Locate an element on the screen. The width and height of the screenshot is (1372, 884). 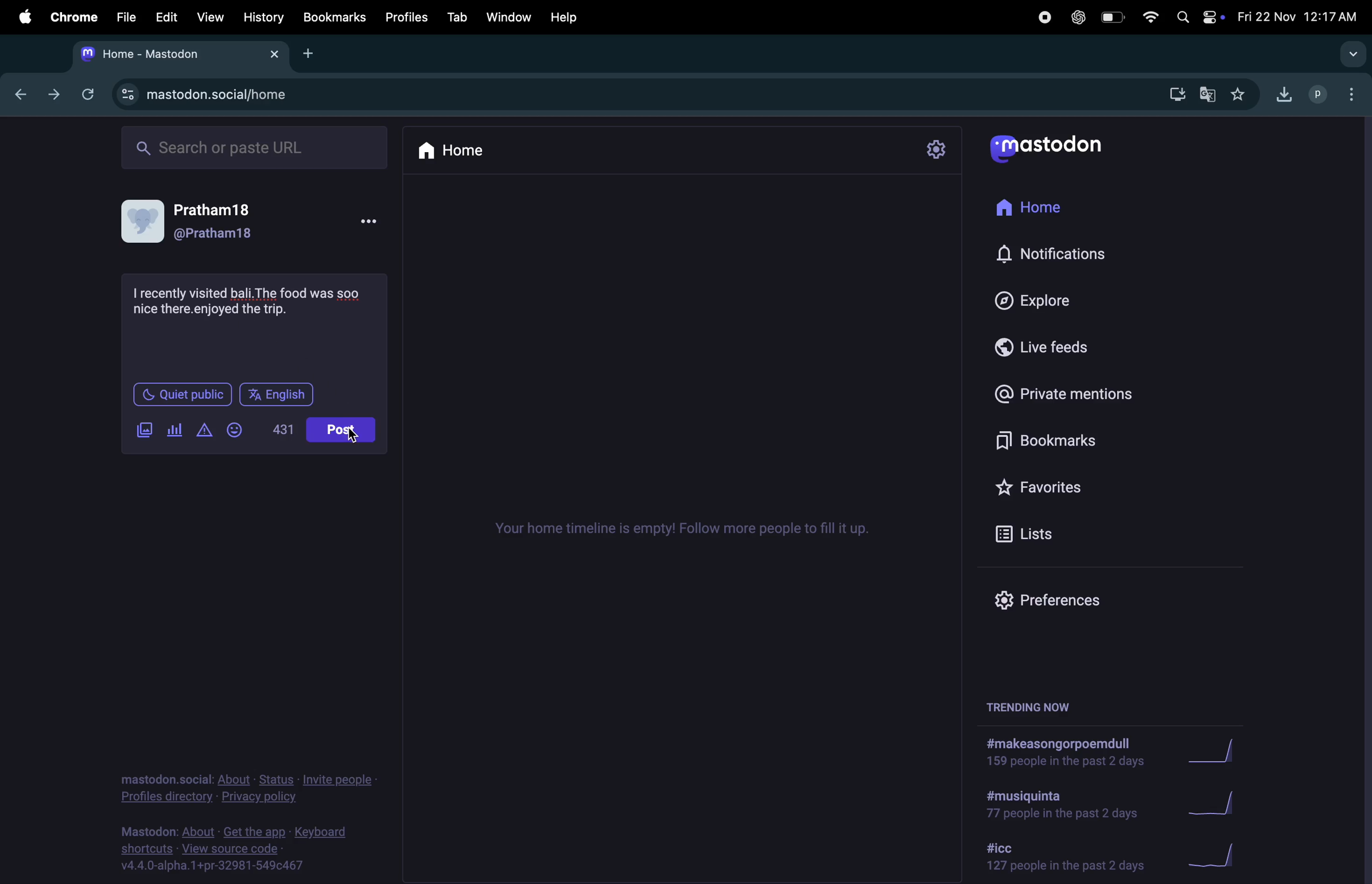
file is located at coordinates (123, 17).